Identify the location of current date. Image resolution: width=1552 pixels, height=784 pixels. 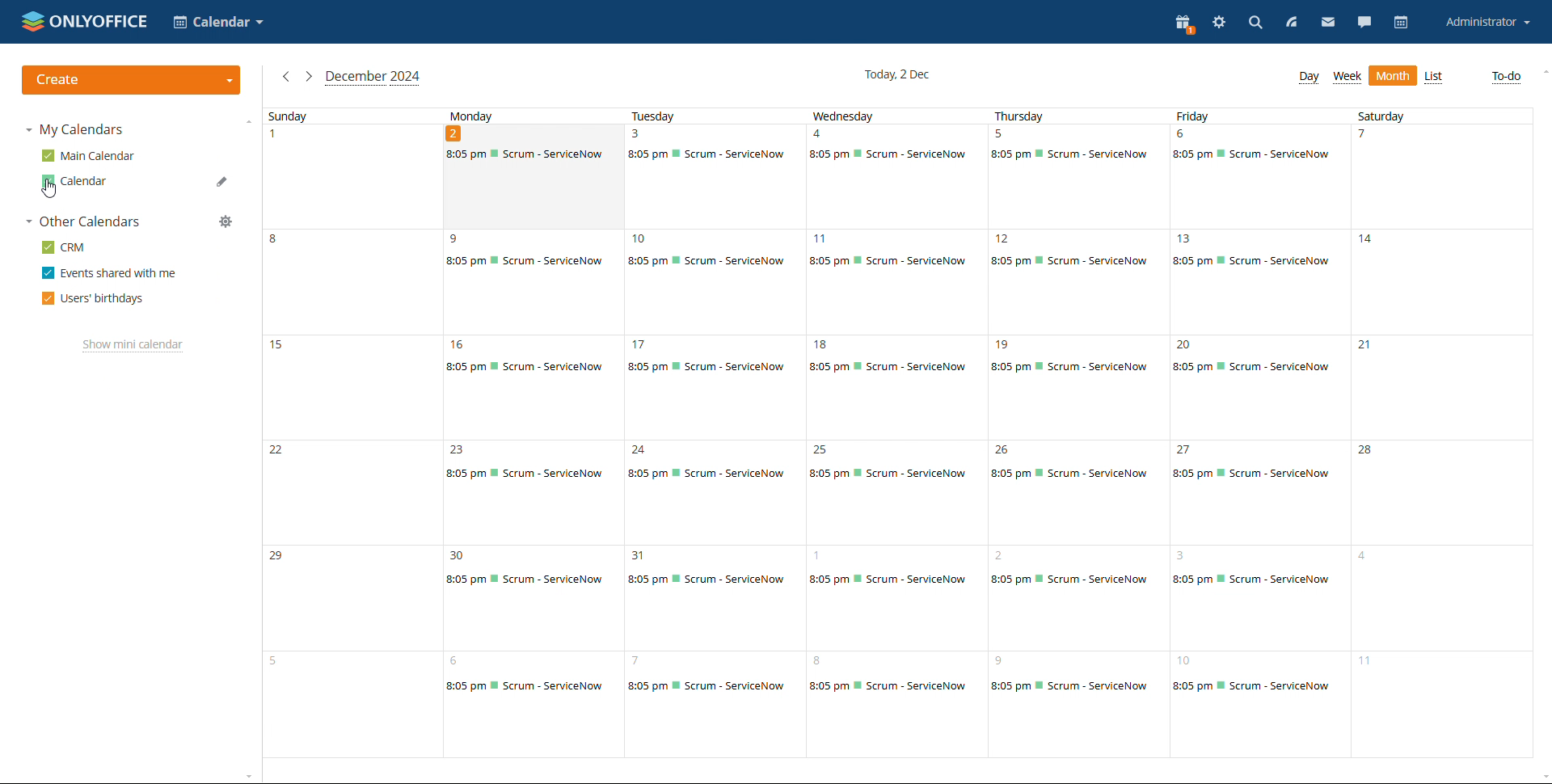
(896, 74).